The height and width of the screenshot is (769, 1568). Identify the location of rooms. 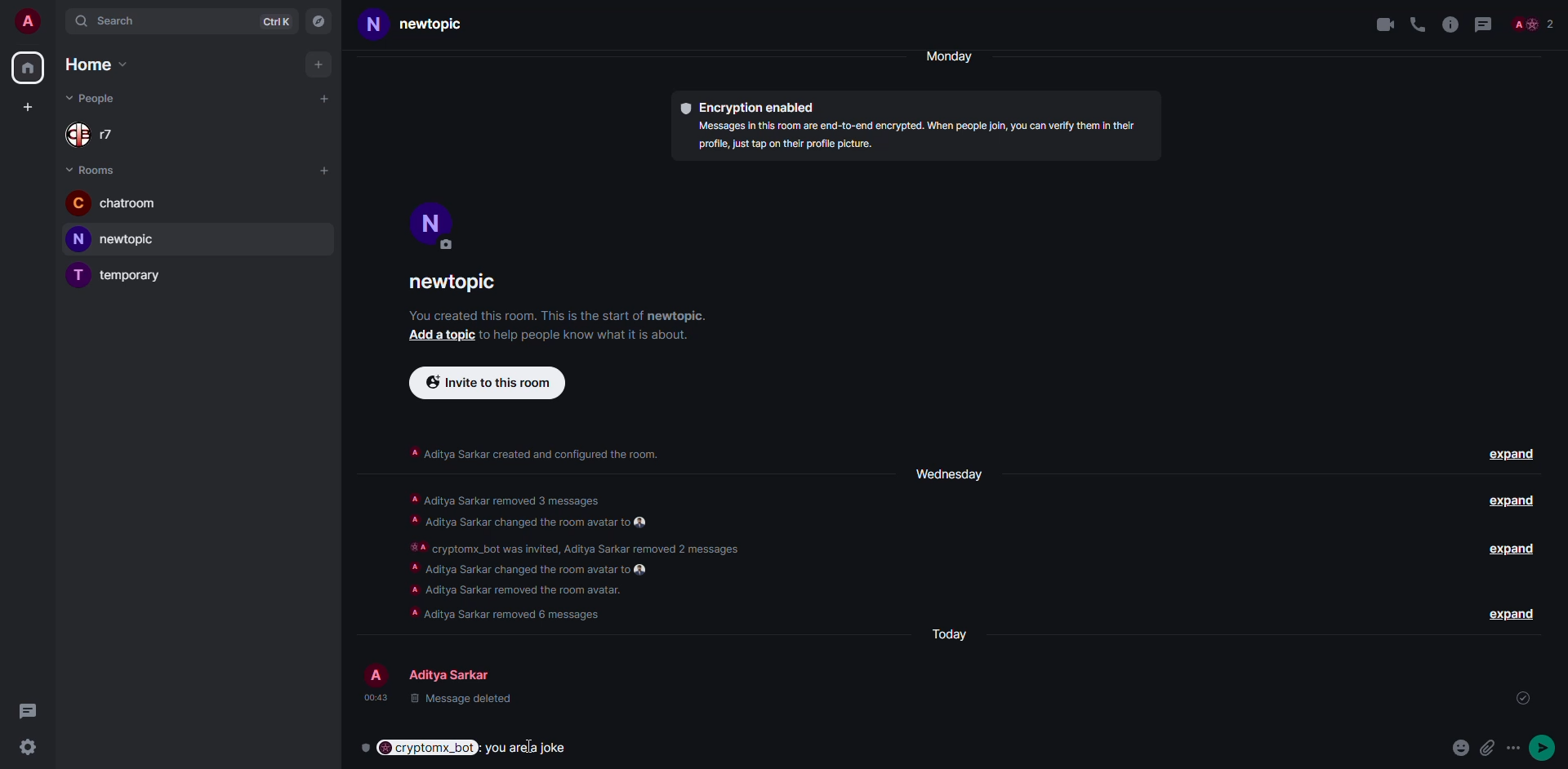
(96, 169).